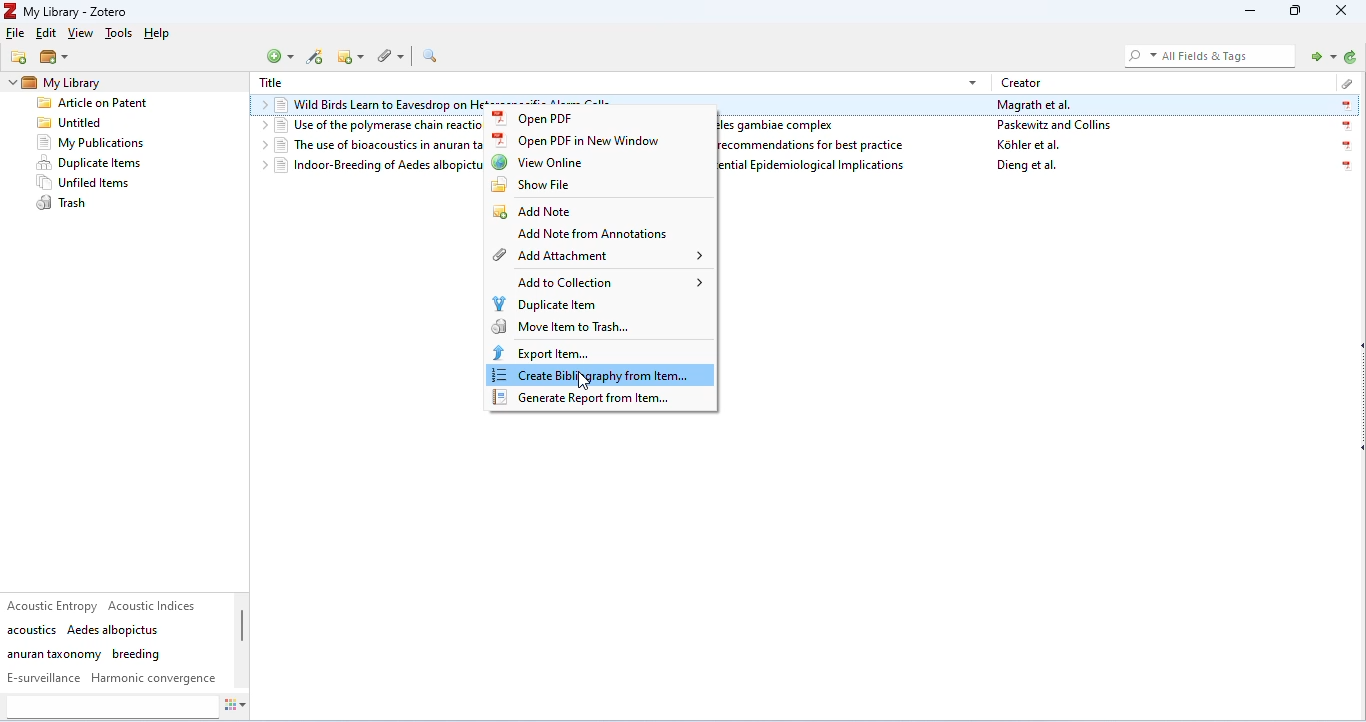 This screenshot has height=722, width=1366. I want to click on anuran taxonomy Dreeding, so click(84, 654).